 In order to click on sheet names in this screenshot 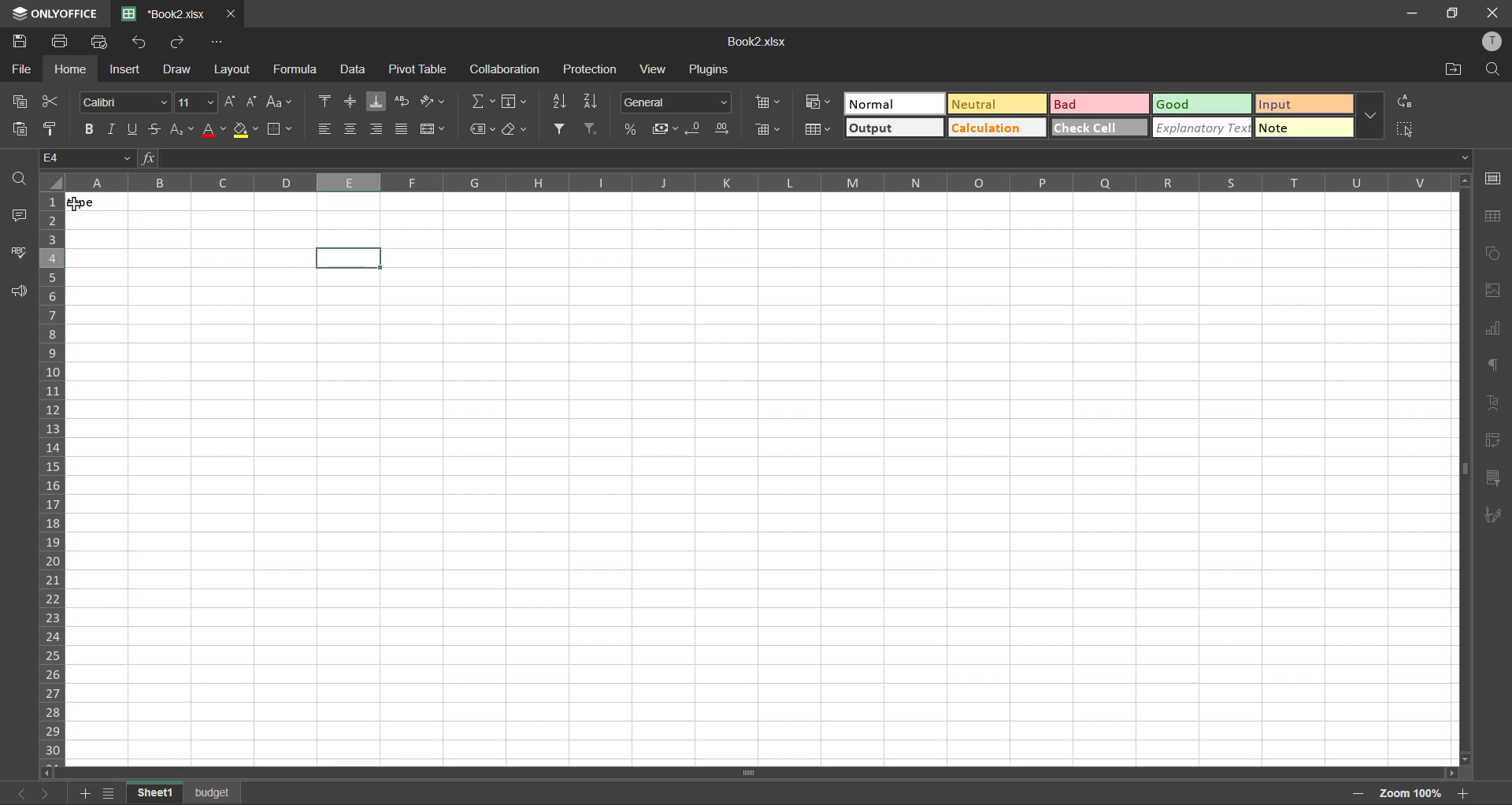, I will do `click(185, 792)`.